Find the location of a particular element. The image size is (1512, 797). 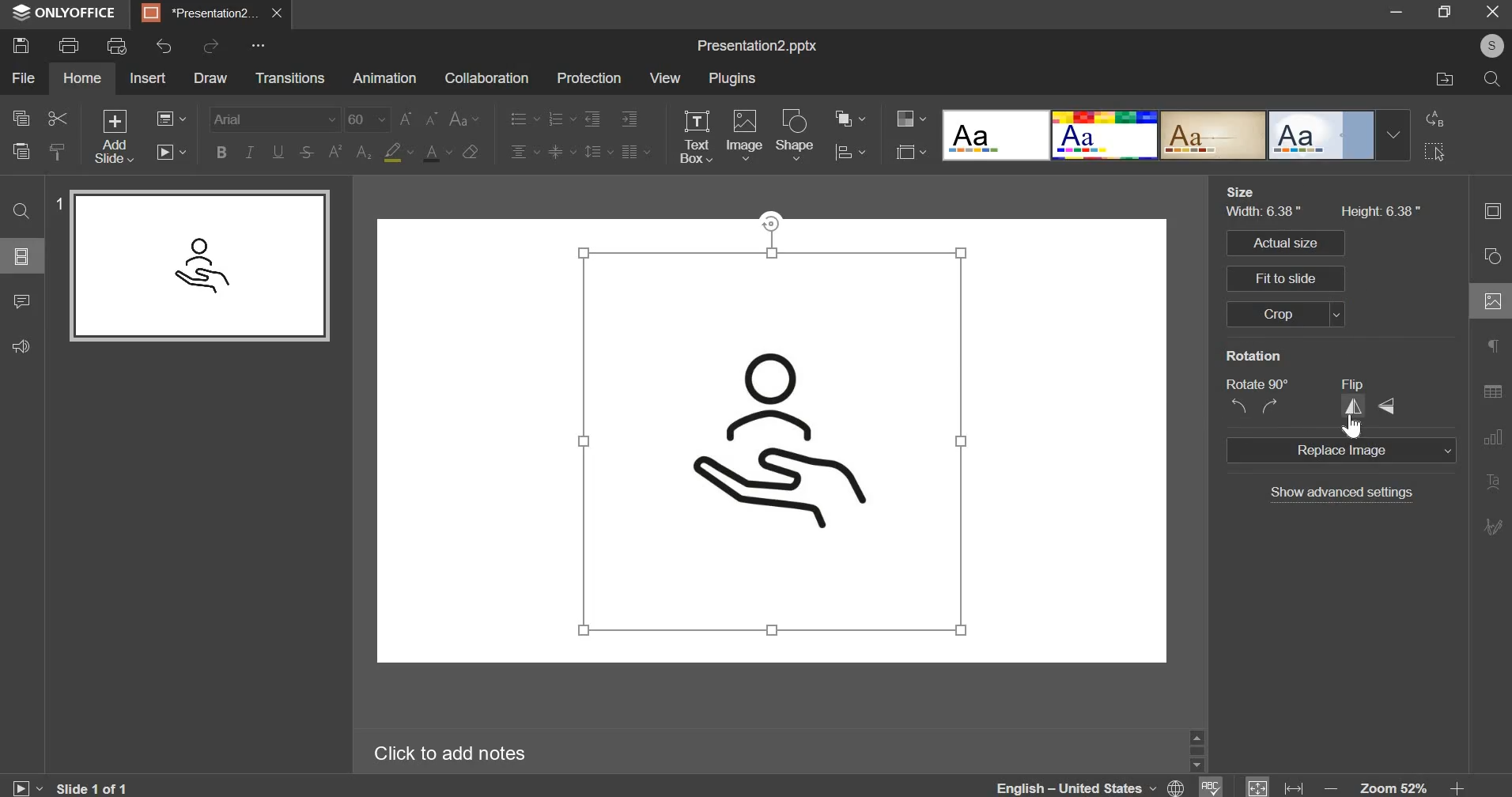

rotation is located at coordinates (1253, 354).